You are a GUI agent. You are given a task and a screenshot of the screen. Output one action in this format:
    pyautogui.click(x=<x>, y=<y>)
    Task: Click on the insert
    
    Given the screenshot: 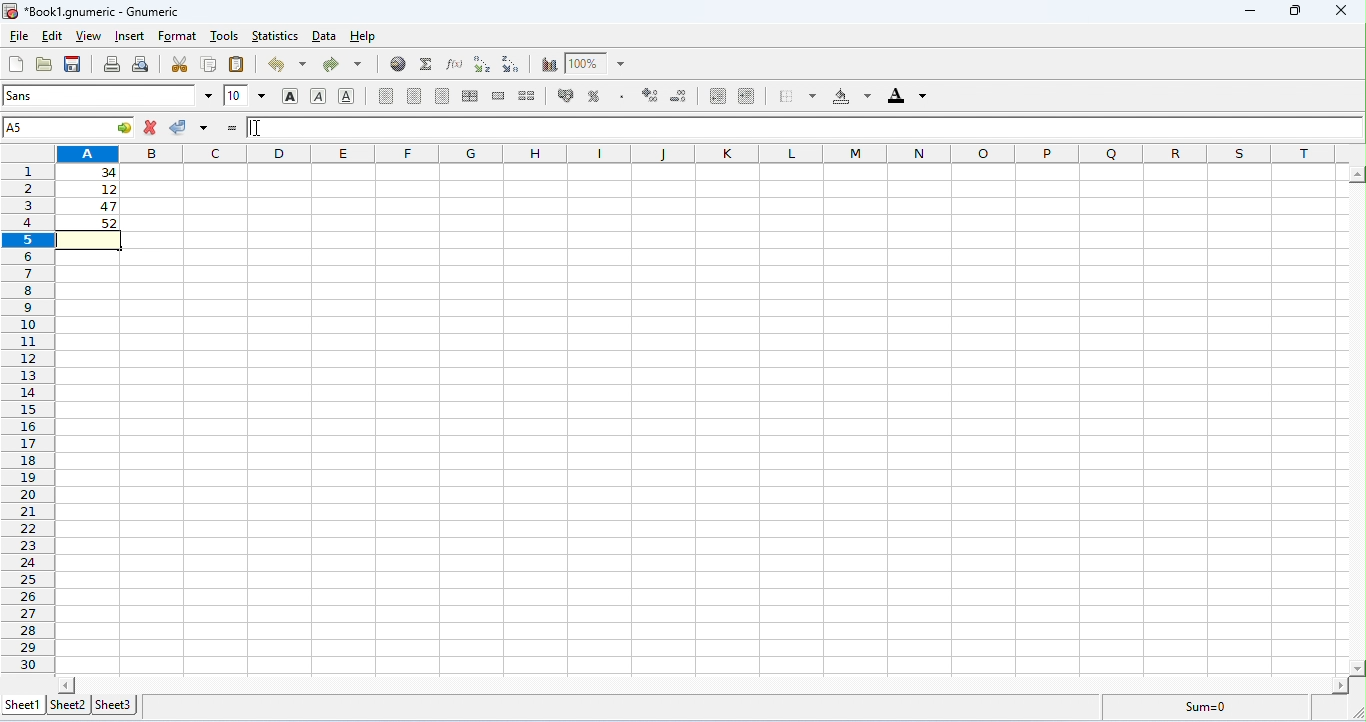 What is the action you would take?
    pyautogui.click(x=132, y=36)
    